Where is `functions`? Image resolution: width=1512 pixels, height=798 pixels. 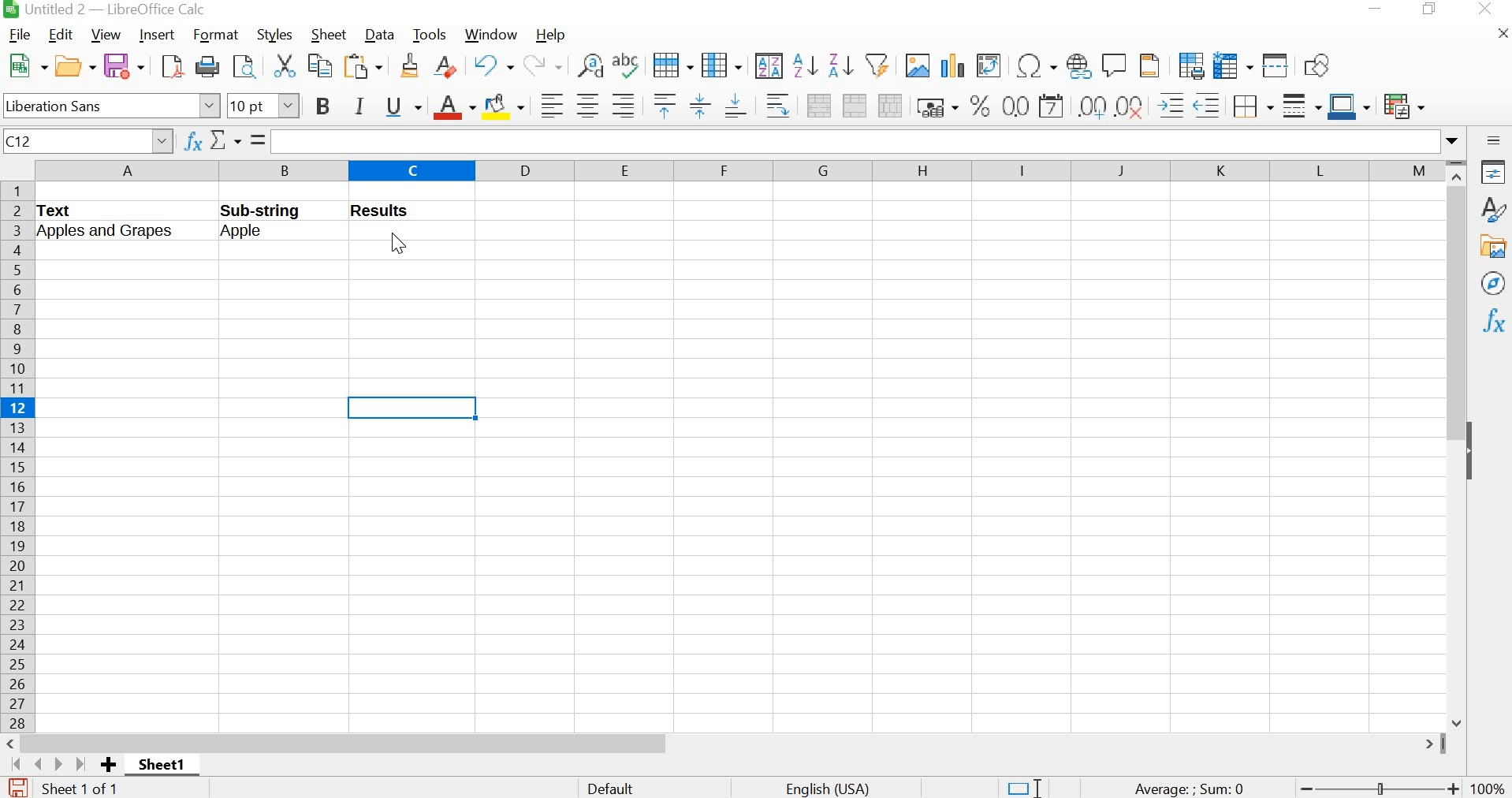 functions is located at coordinates (1495, 320).